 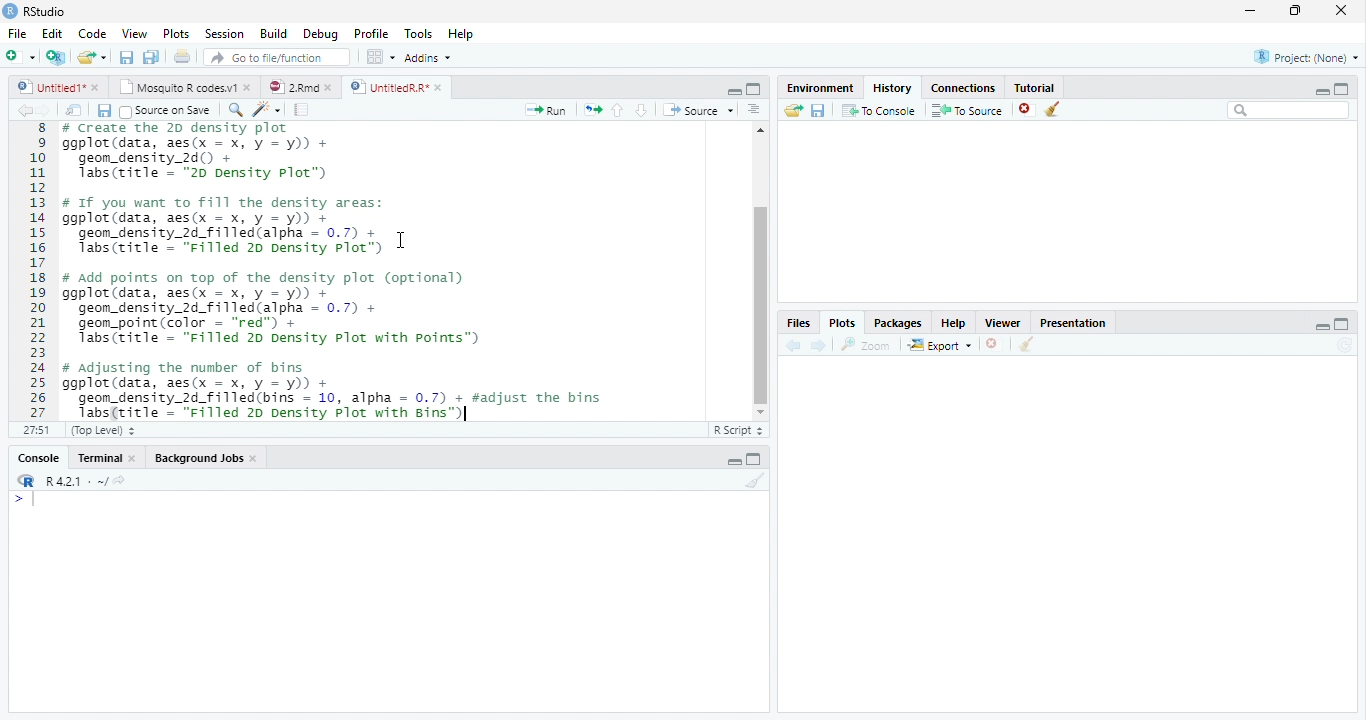 What do you see at coordinates (363, 272) in the screenshot?
I see `8 # Create the 2D density plot 9 ggplot(data, aes(x = x, y = y)) +10 geom_density 2d) +11 Tabs(title - "20 Density plot”)1213 # If you want to fill the density areas:14 ggplot(data, aes(x = x, y = y)) +15 “geon density 2d filled(alpha - 0.7) + |16  Tabs(title = "Filled 20 Density Plot”)1718 # Add points on top of the density plot (optional)19 ggplot(data, aes(x = x, y = y)) +20 geom_density_2d_filled(alpha = 0.7) +21 geom_point(color = "red") +22 Tabs(title = "Filled 20 Density Plot with Points")2324 # adjusting the number of bins25 ggplot(data, aes(x = x, y = y)) +26 geom_density_2d_filled(bins = 10, alpha = 0.7) + #adjust the bins27  labs(title = "Filled 2p Density Plot with Bins™)|` at bounding box center [363, 272].